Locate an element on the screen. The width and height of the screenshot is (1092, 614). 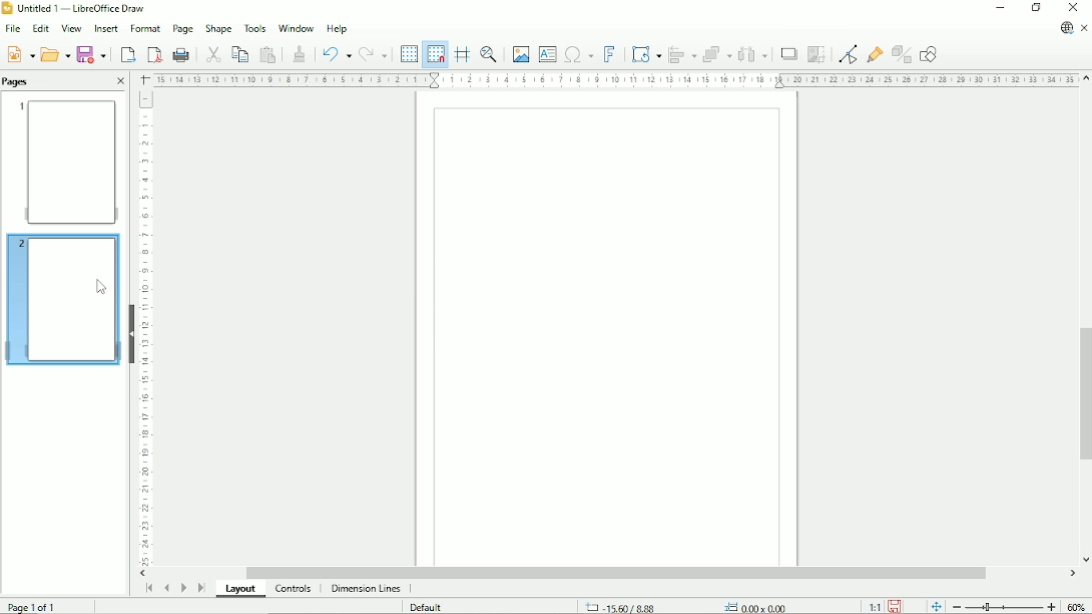
Layout is located at coordinates (243, 590).